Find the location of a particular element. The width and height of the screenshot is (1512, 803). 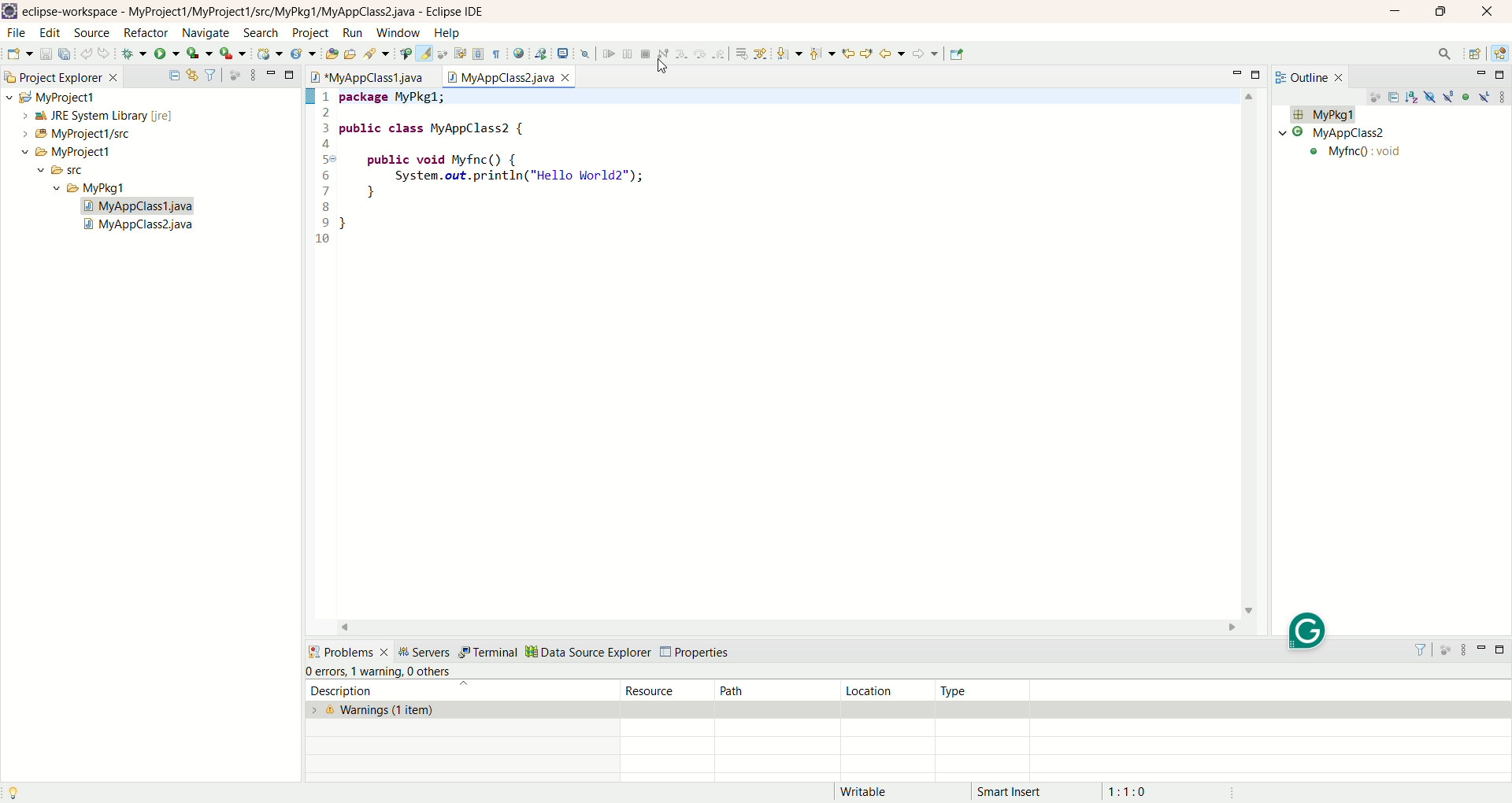

maximize is located at coordinates (1259, 74).